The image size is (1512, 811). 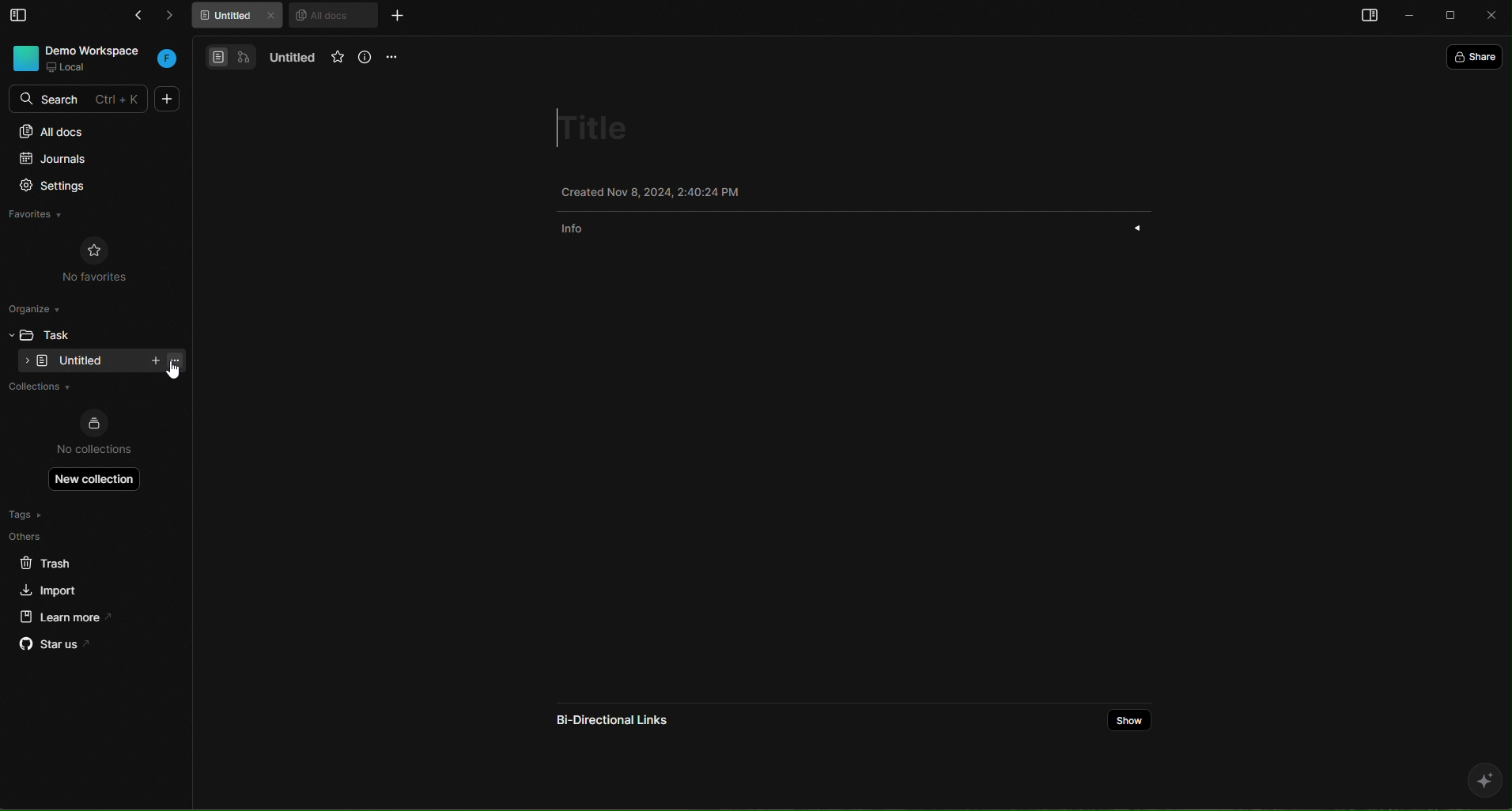 What do you see at coordinates (1484, 780) in the screenshot?
I see `ai` at bounding box center [1484, 780].